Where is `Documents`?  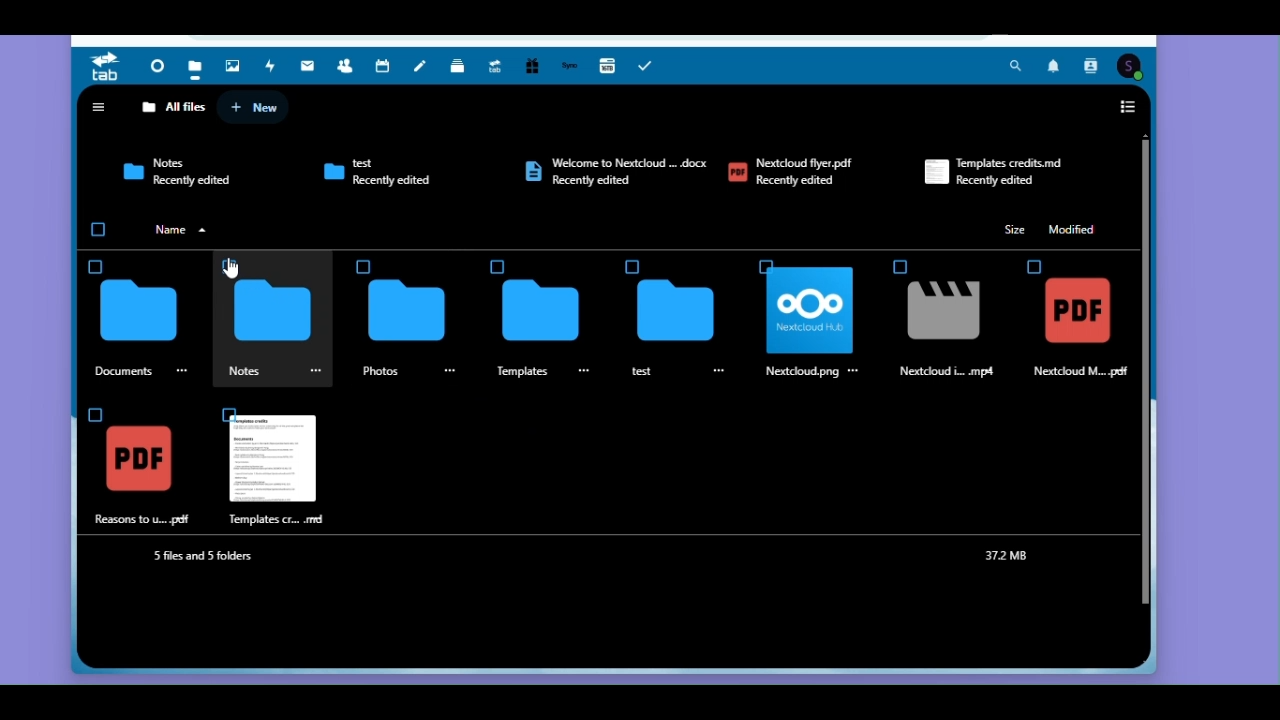
Documents is located at coordinates (124, 370).